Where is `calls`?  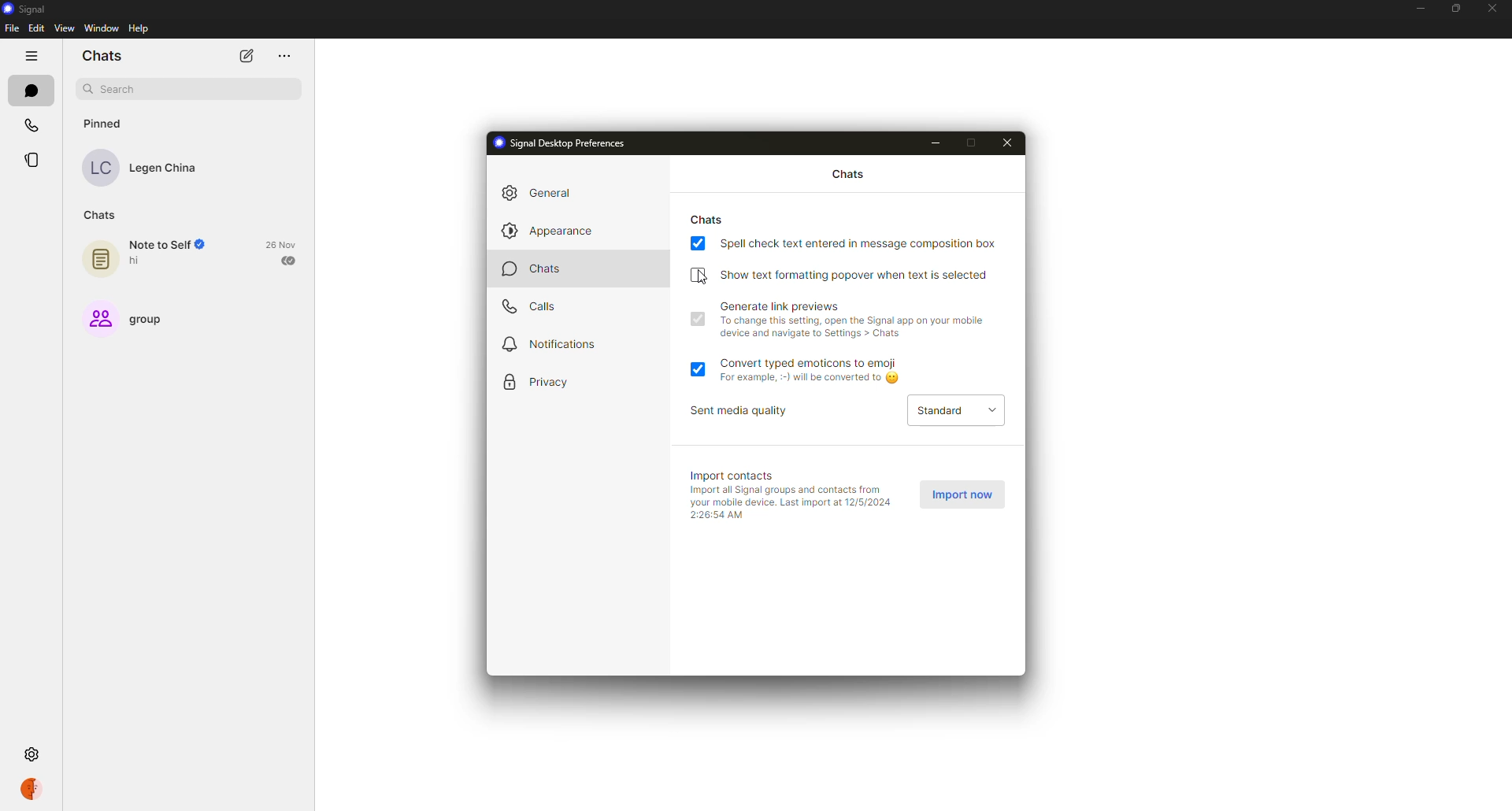
calls is located at coordinates (31, 128).